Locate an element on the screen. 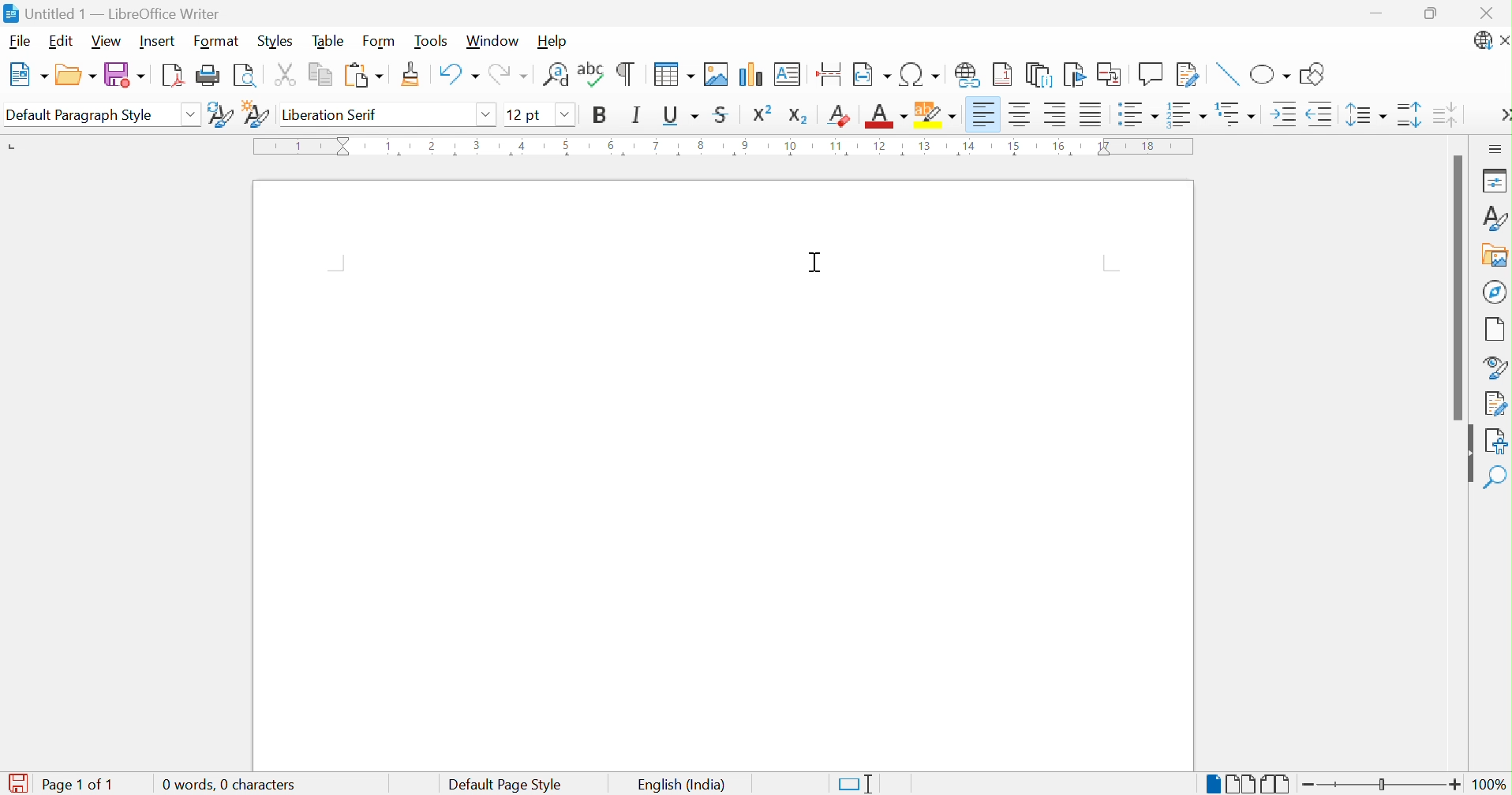  Navigator is located at coordinates (1497, 292).